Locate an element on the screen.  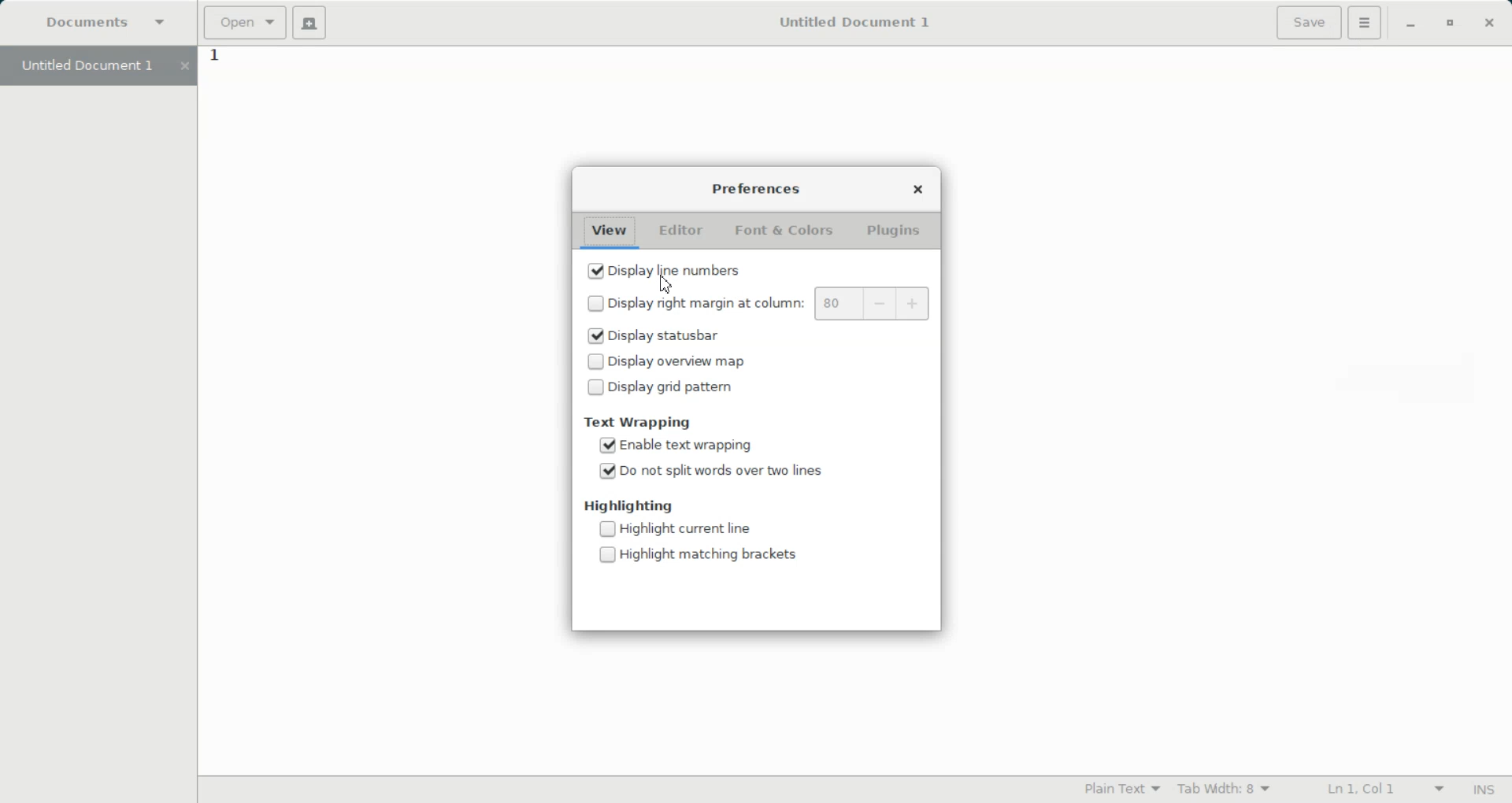
Close is located at coordinates (1488, 24).